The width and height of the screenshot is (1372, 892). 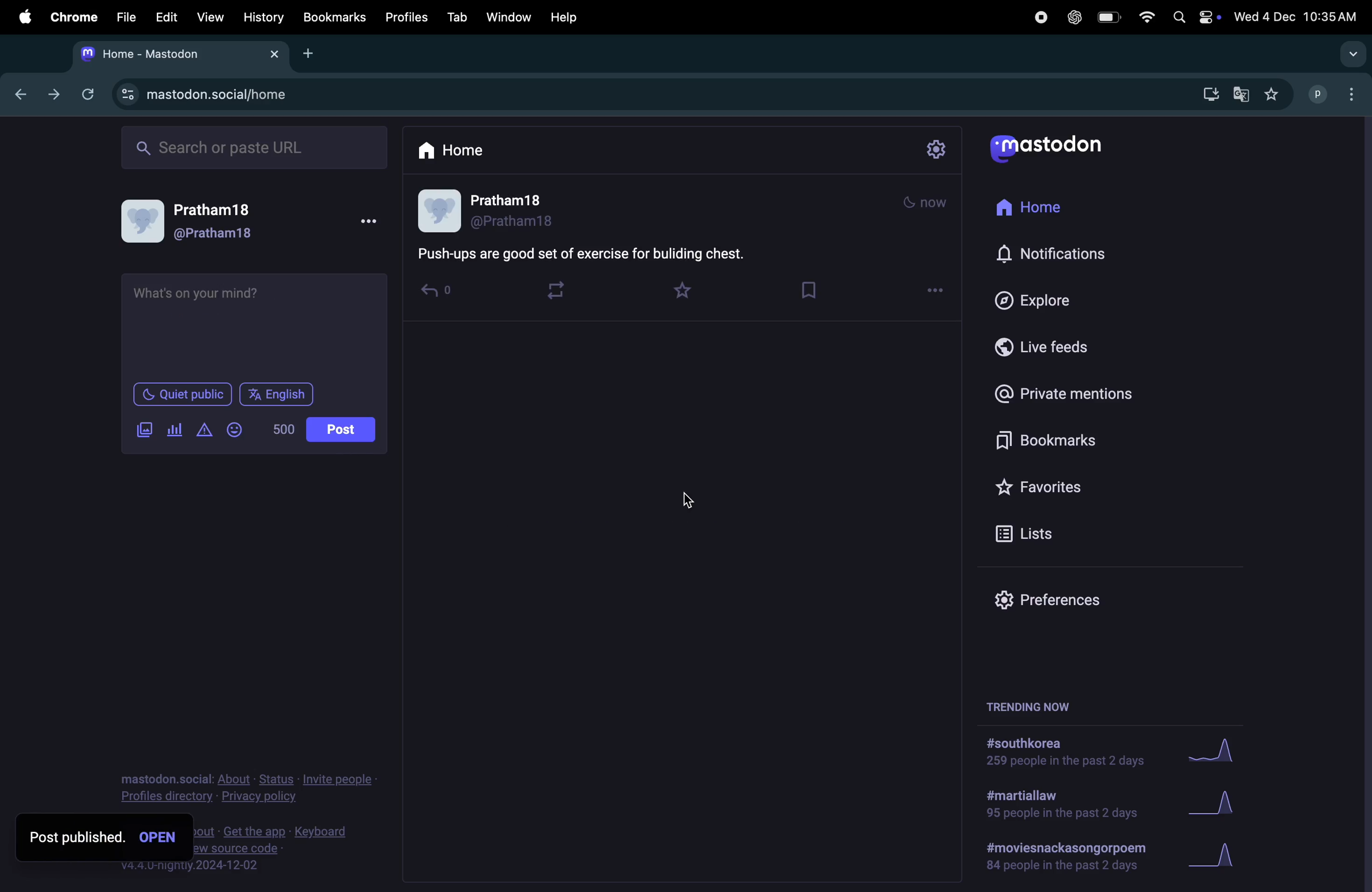 I want to click on settings, so click(x=939, y=149).